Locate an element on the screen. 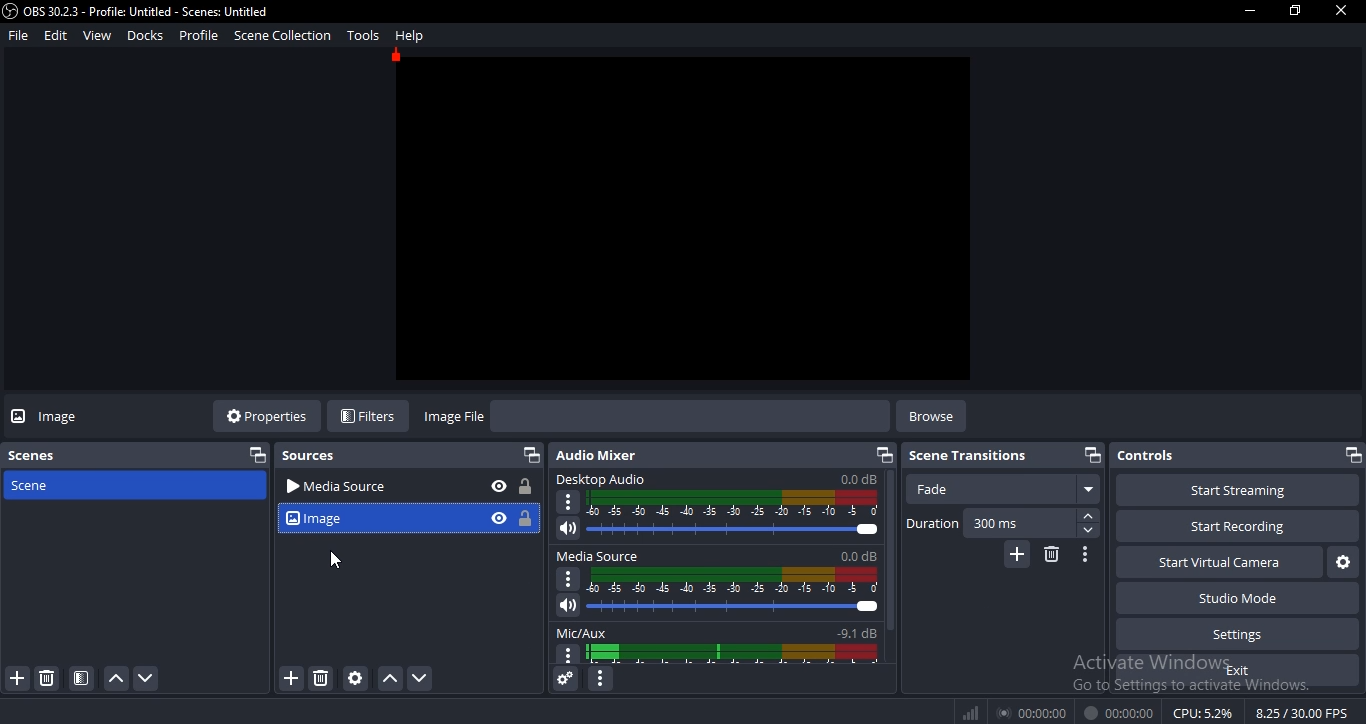 Image resolution: width=1366 pixels, height=724 pixels. restore is located at coordinates (883, 455).